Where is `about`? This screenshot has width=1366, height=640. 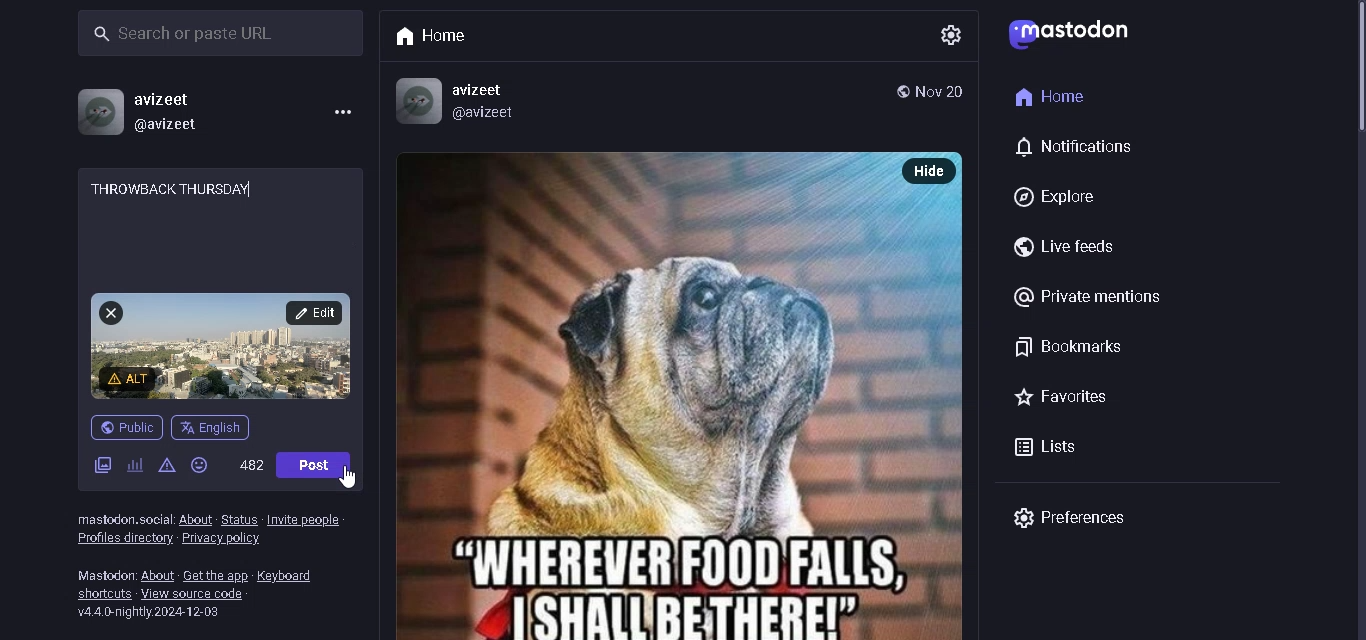
about is located at coordinates (156, 576).